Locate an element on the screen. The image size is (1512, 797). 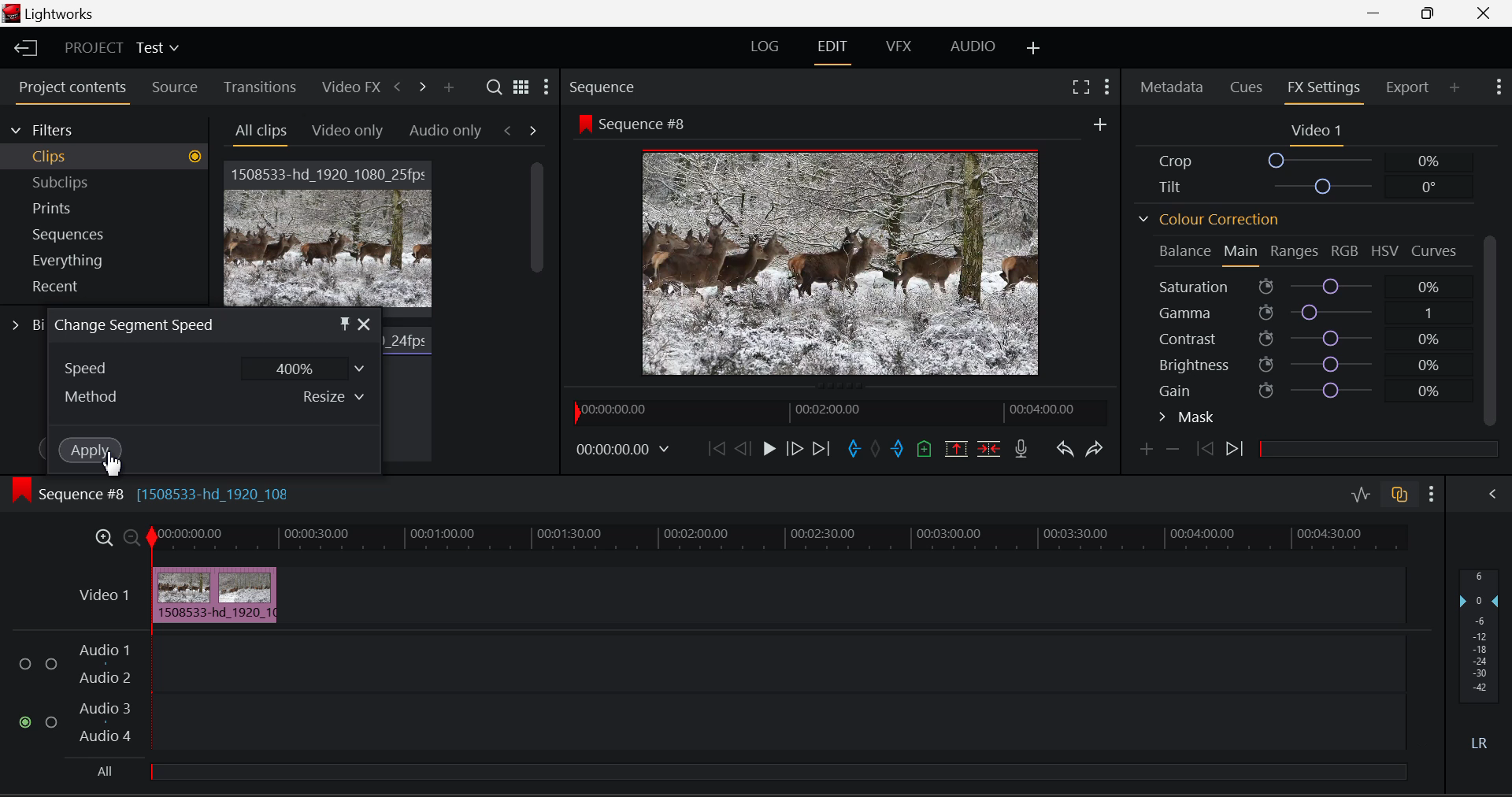
Play is located at coordinates (770, 450).